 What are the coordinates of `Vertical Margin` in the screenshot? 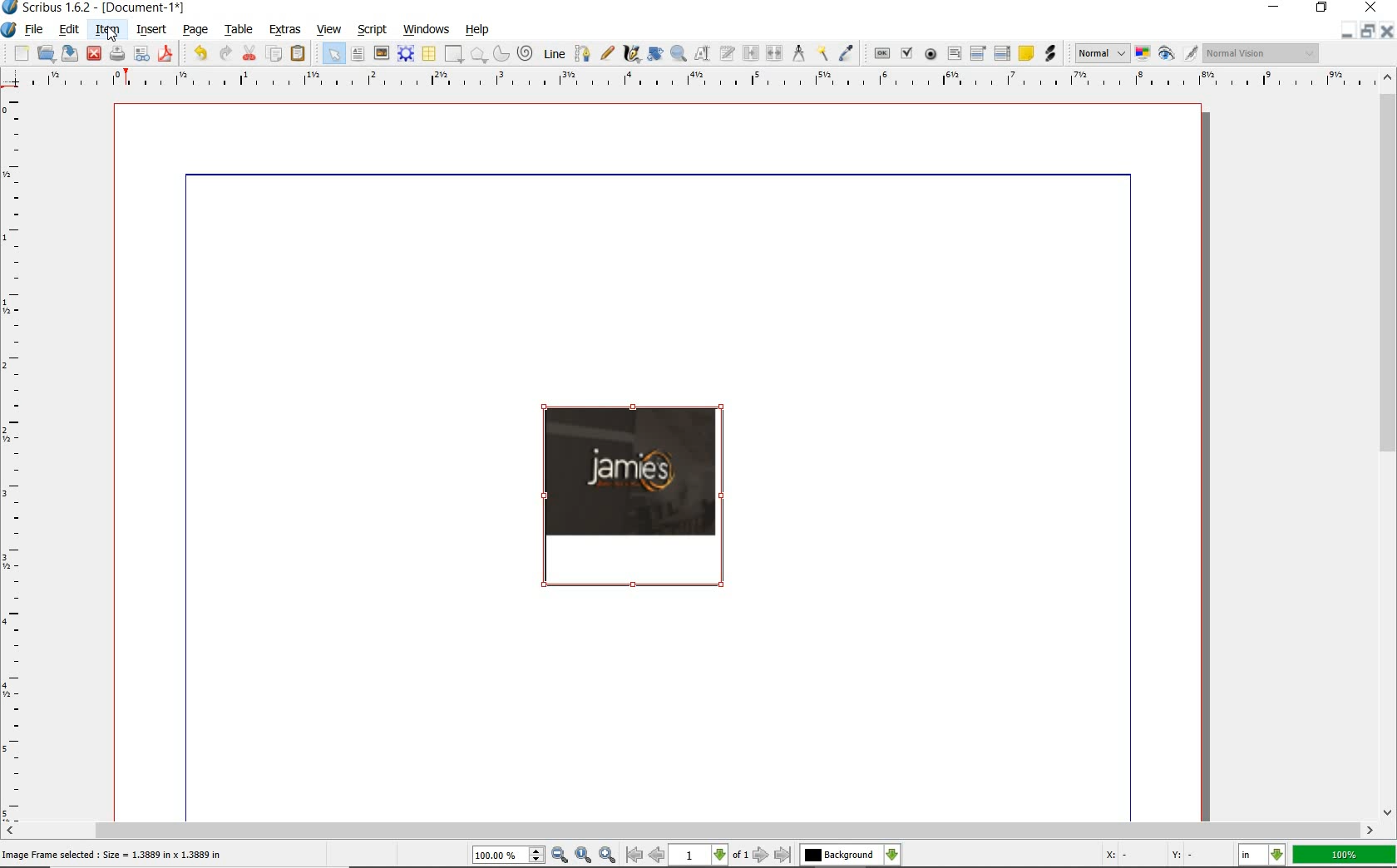 It's located at (16, 456).